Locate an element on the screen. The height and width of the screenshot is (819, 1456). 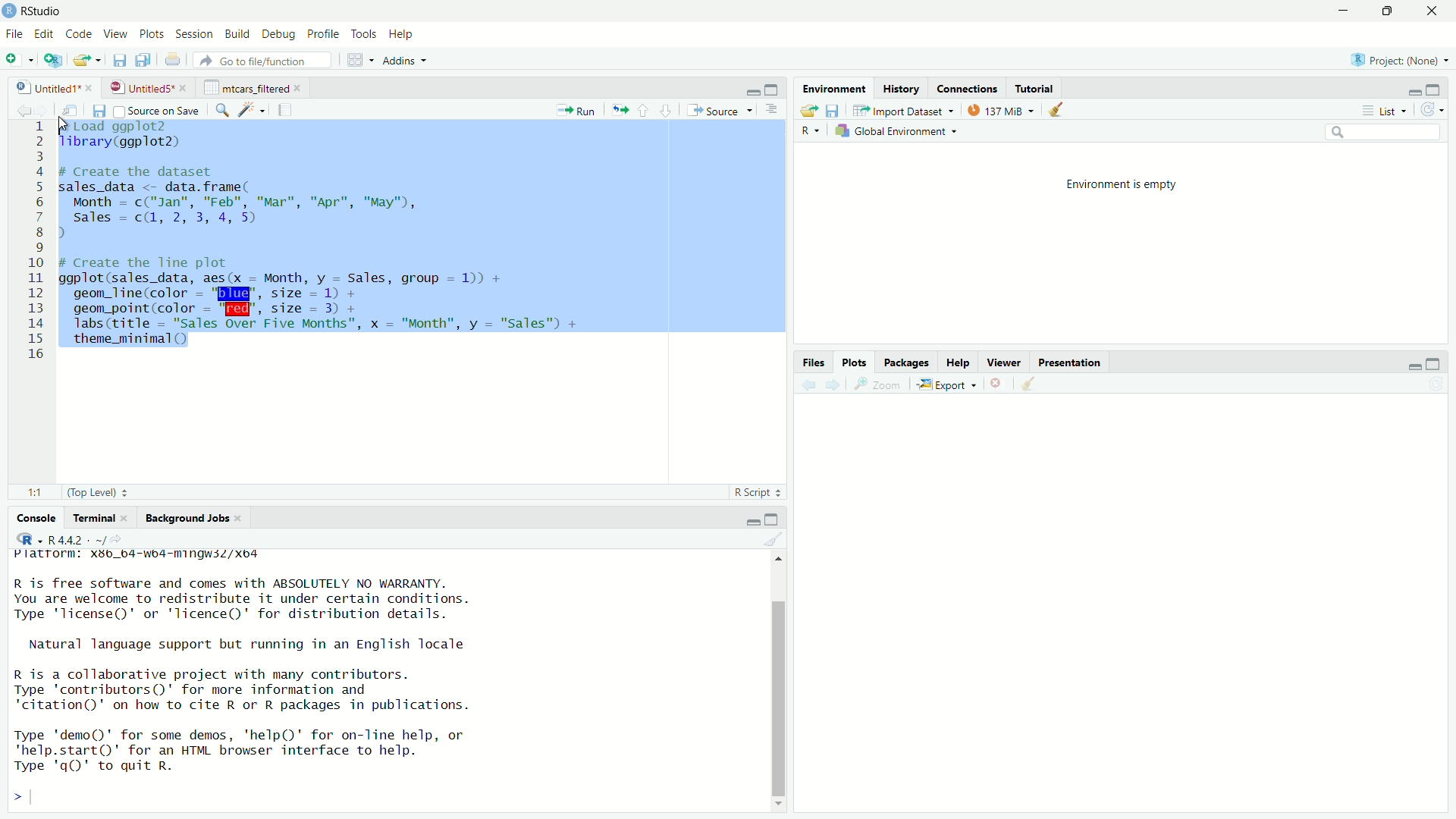
open file is located at coordinates (808, 111).